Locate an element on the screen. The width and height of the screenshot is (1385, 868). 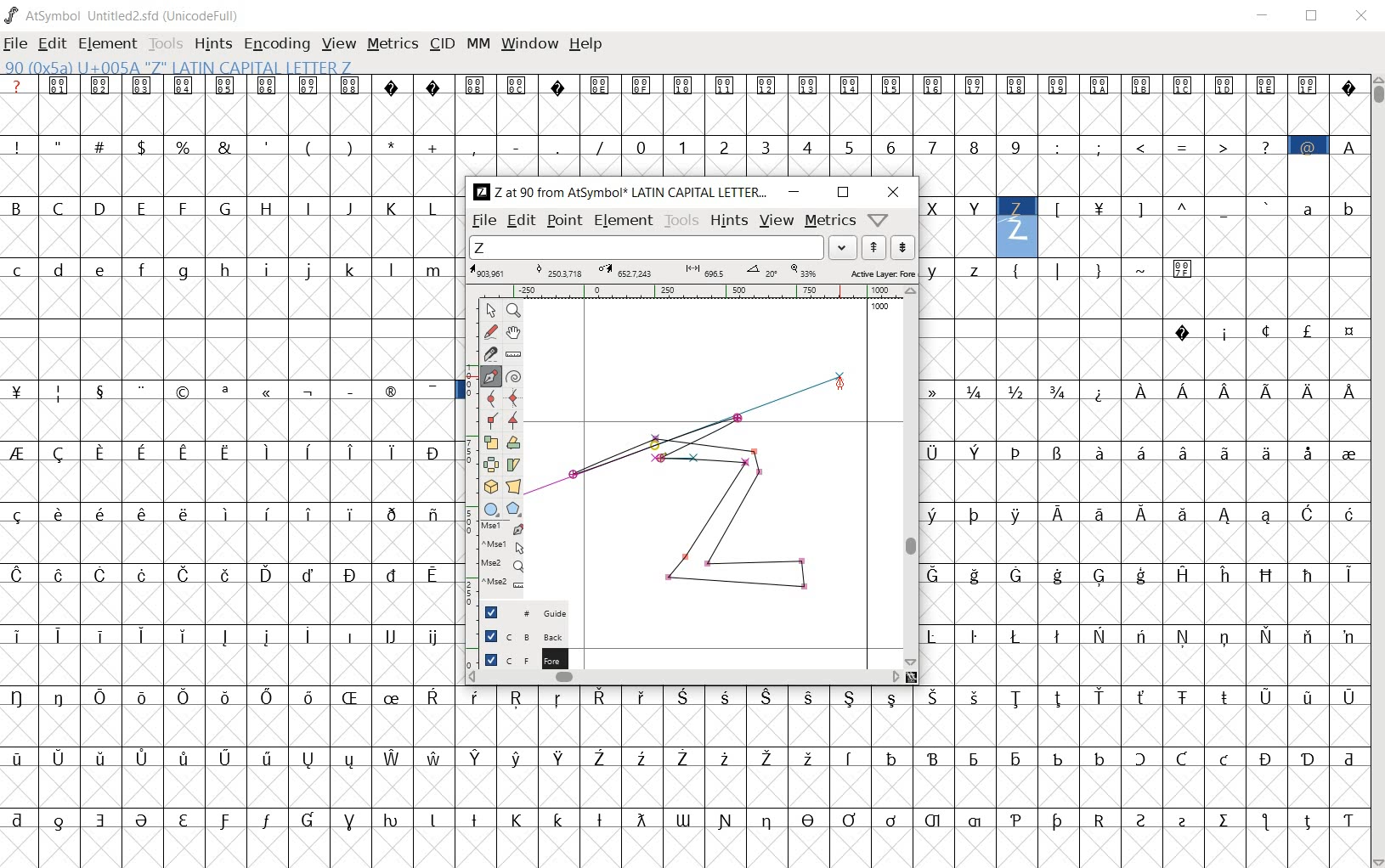
glyph characters is located at coordinates (930, 125).